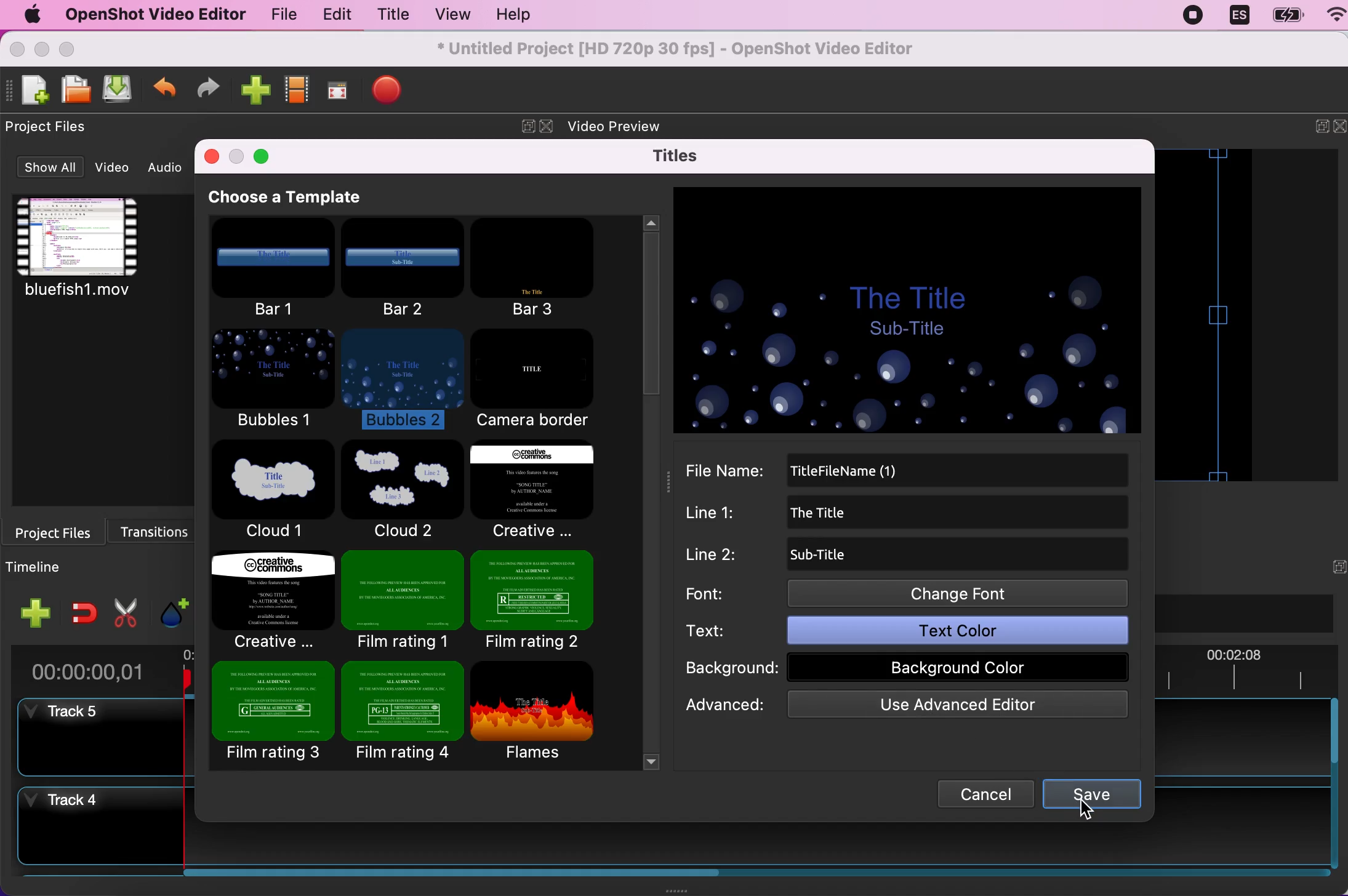 The height and width of the screenshot is (896, 1348). Describe the element at coordinates (404, 268) in the screenshot. I see `bar 2` at that location.